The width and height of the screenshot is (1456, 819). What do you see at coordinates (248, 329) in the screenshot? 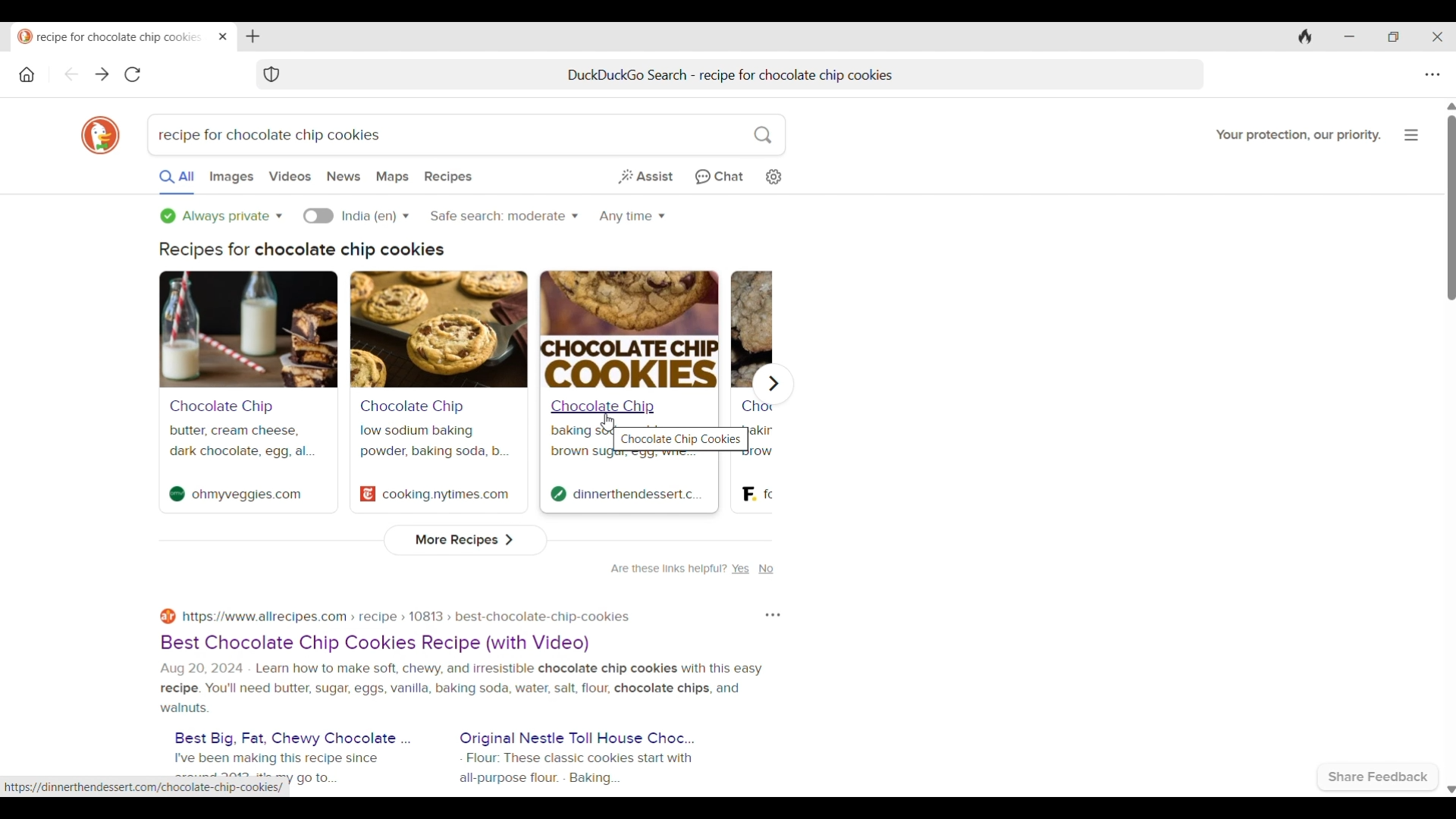
I see `Search result banner` at bounding box center [248, 329].